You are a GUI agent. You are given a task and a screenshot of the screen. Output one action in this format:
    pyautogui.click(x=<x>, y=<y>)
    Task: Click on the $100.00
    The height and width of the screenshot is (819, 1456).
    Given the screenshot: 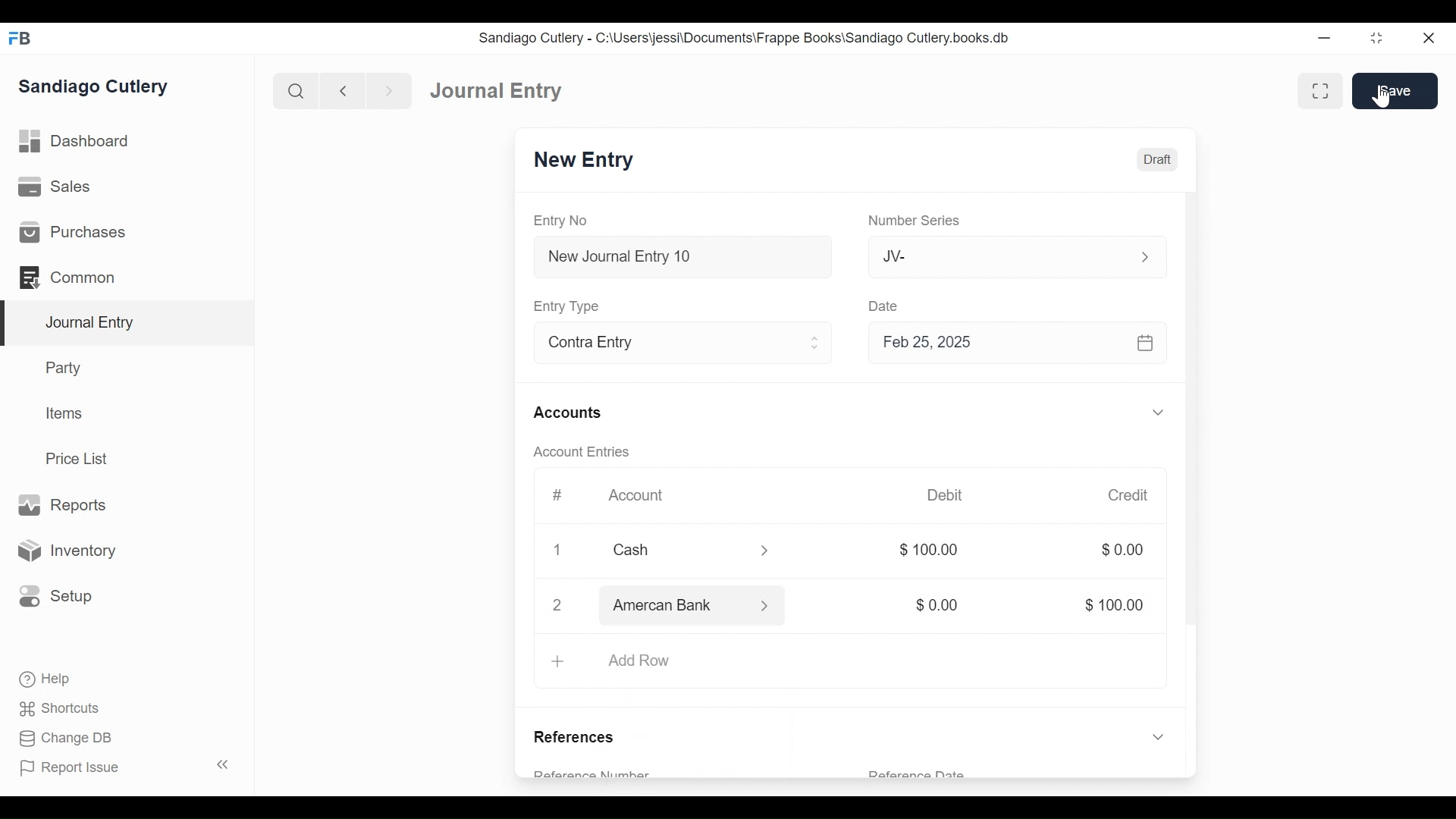 What is the action you would take?
    pyautogui.click(x=1112, y=605)
    